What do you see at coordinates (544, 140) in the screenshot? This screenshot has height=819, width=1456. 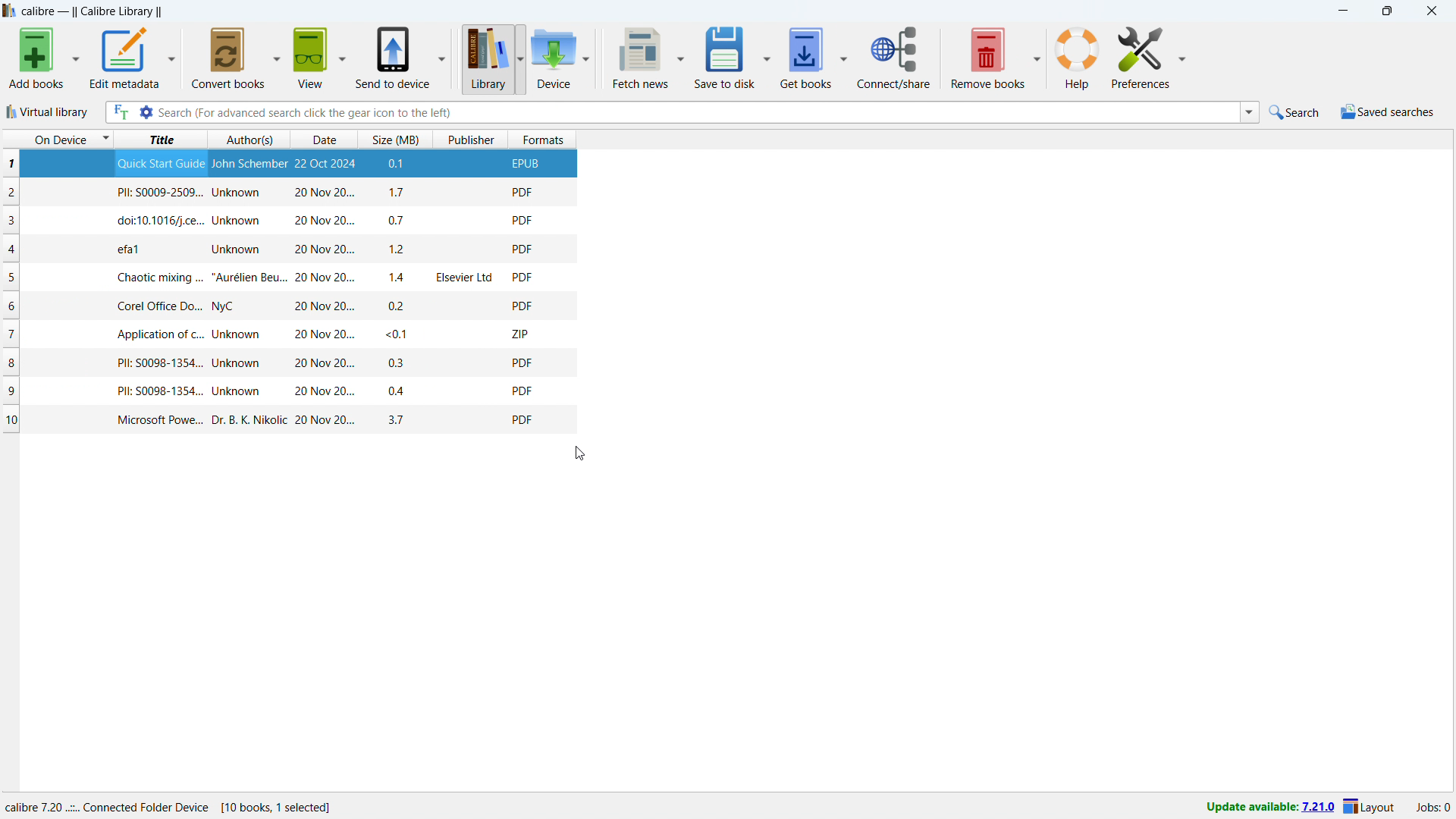 I see `sort by formats` at bounding box center [544, 140].